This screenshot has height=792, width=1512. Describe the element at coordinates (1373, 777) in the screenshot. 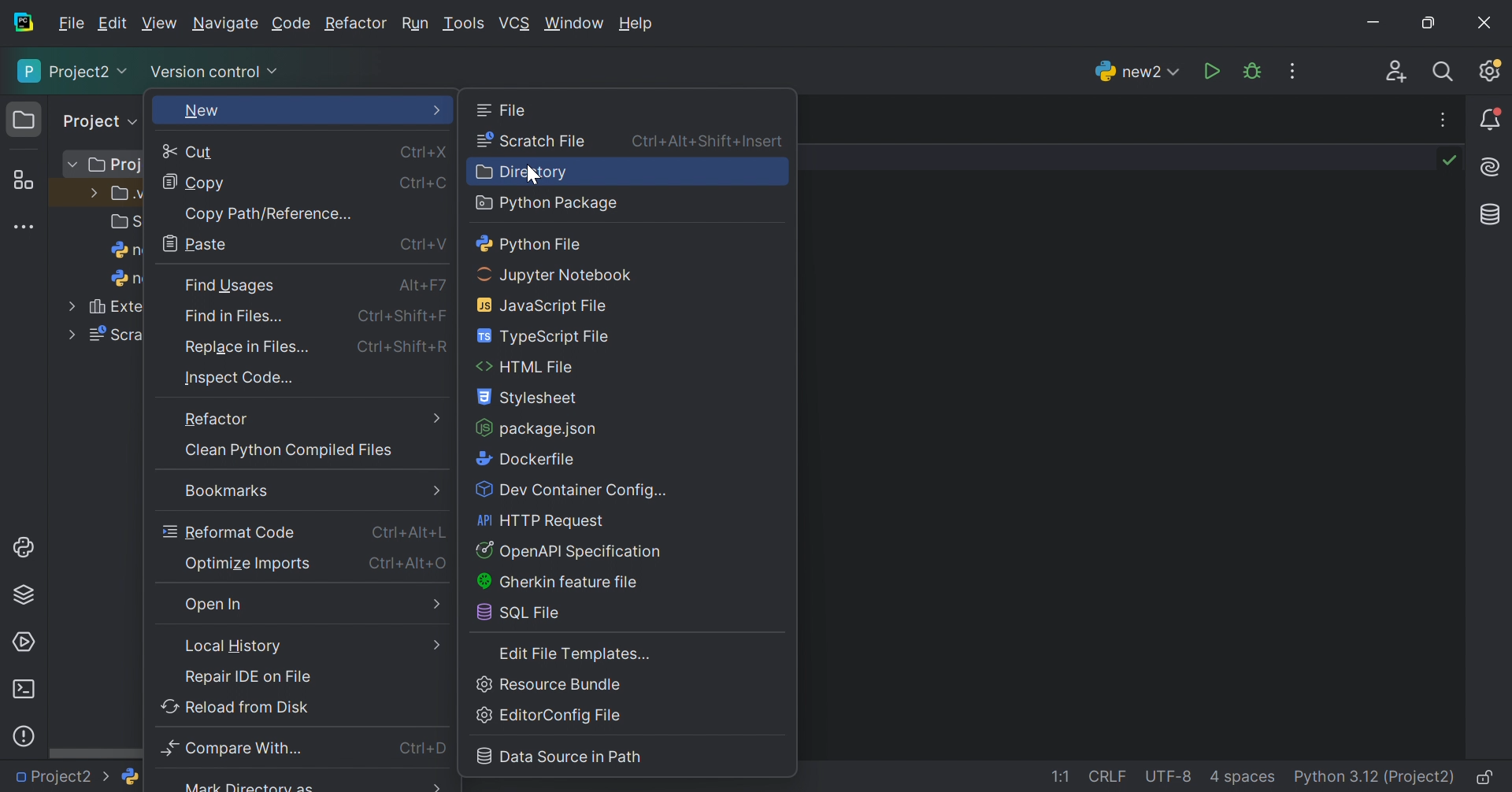

I see `Python 3.12 (Project2)` at that location.